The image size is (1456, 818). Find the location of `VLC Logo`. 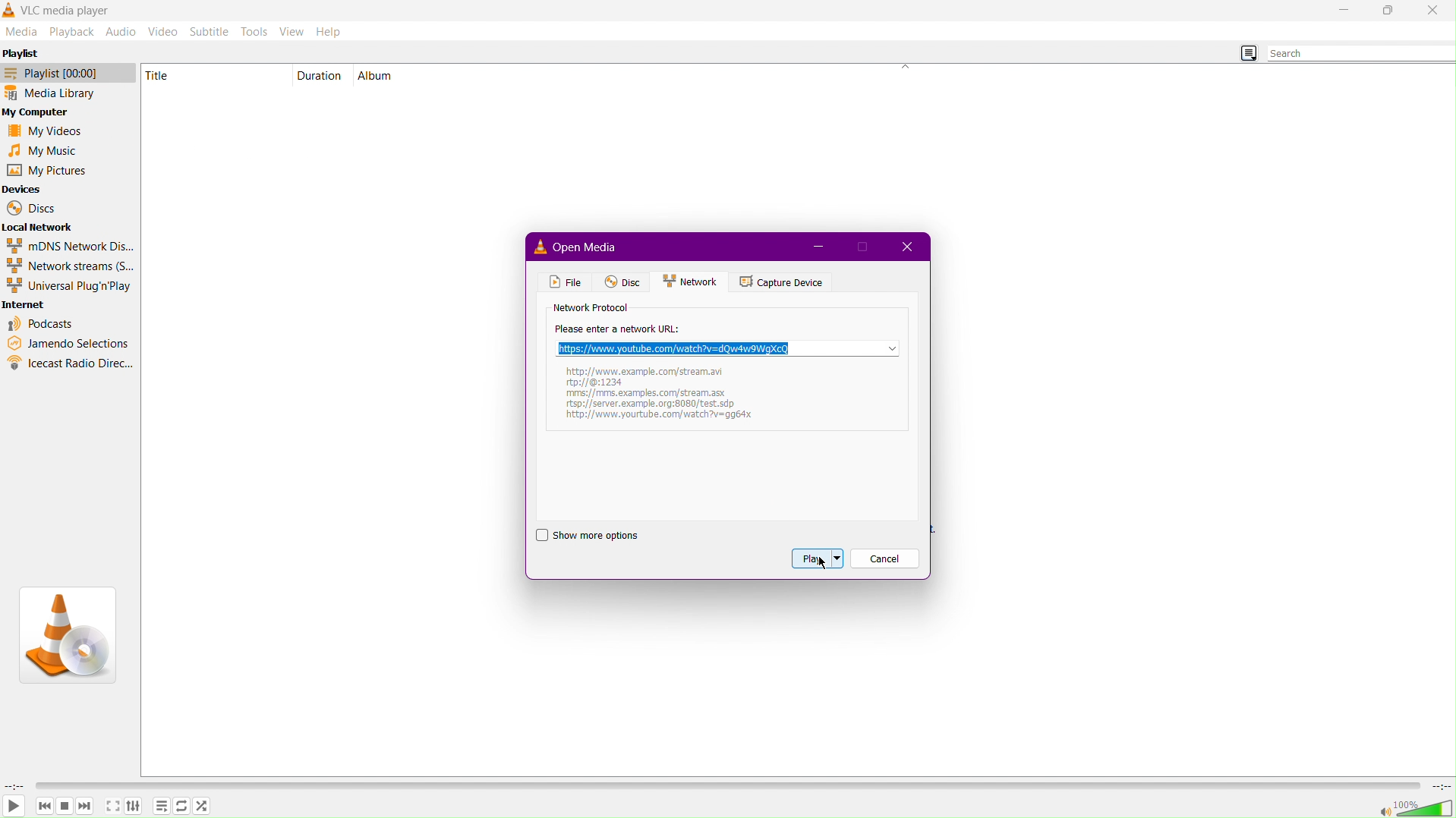

VLC Logo is located at coordinates (68, 637).